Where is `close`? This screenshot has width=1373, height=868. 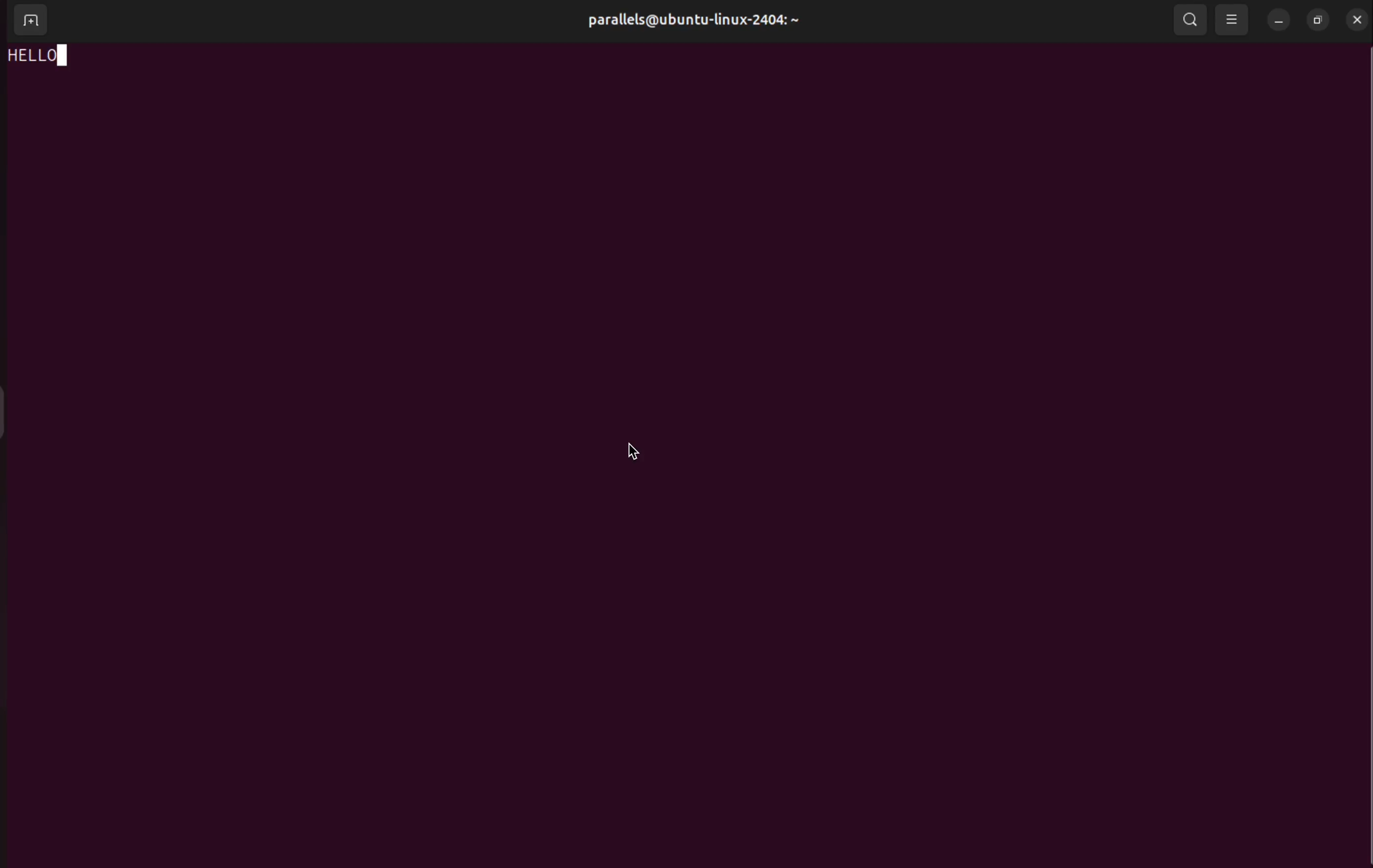
close is located at coordinates (1356, 18).